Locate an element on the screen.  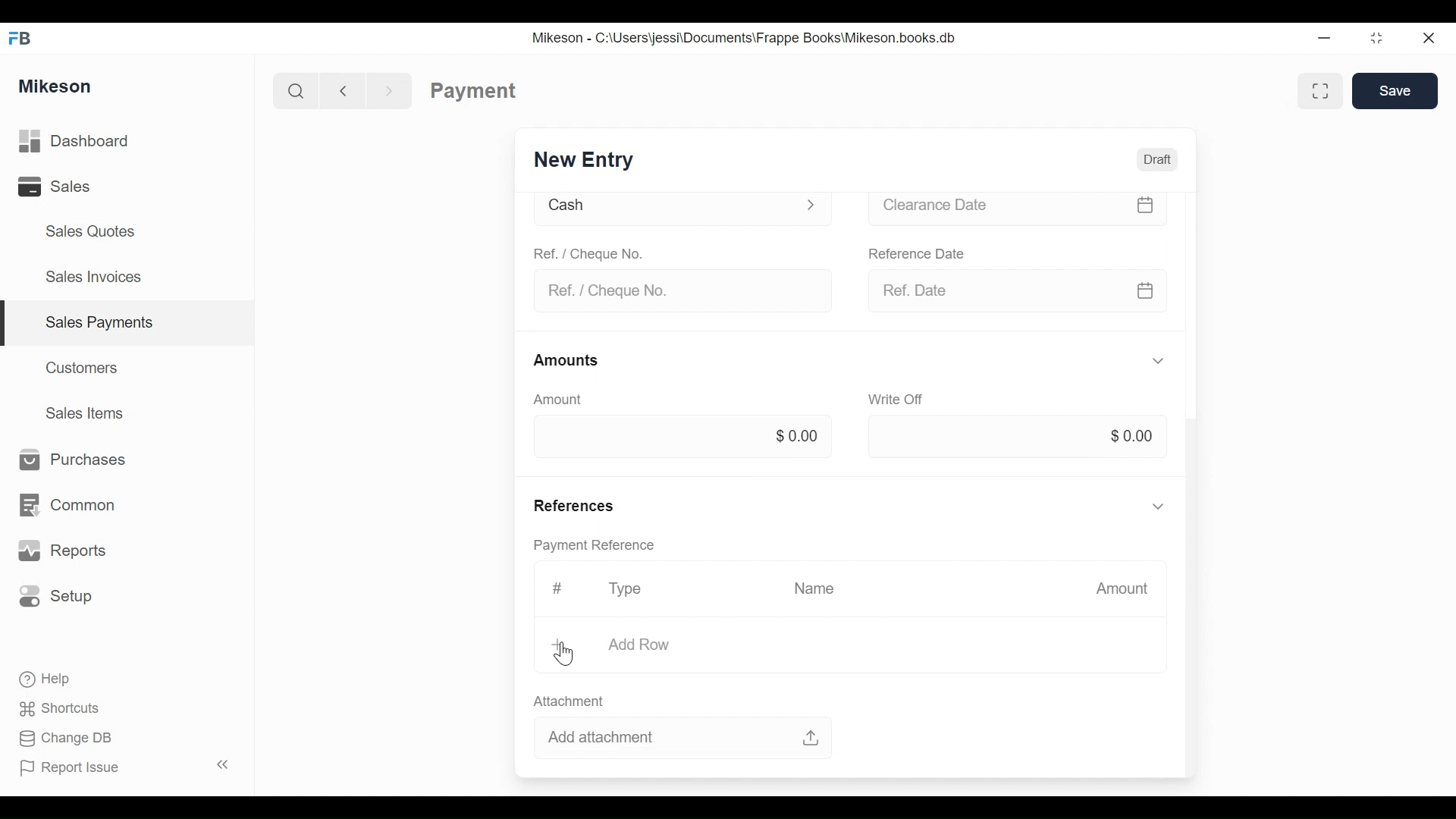
Hide is located at coordinates (1159, 504).